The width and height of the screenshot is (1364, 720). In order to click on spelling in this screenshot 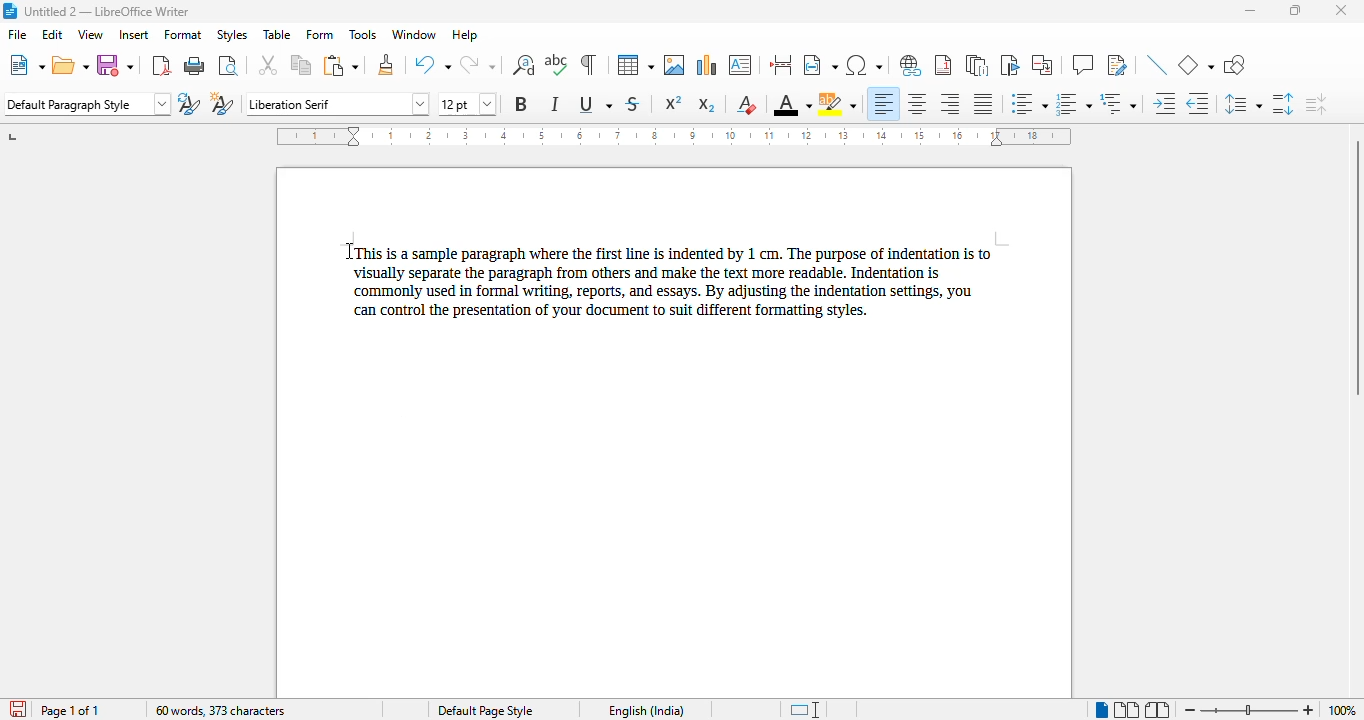, I will do `click(557, 65)`.